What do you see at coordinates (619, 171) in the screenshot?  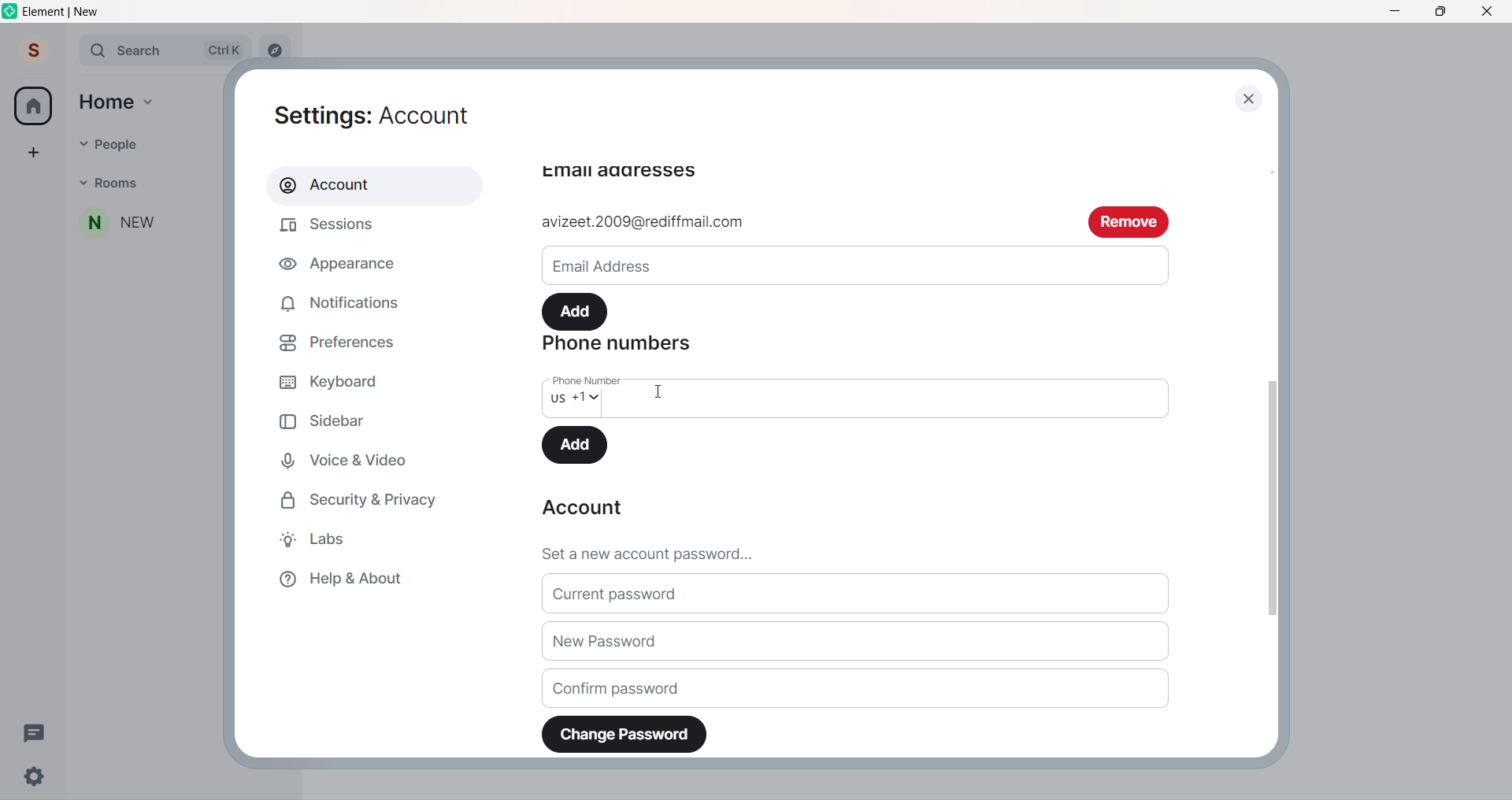 I see `email adressess` at bounding box center [619, 171].